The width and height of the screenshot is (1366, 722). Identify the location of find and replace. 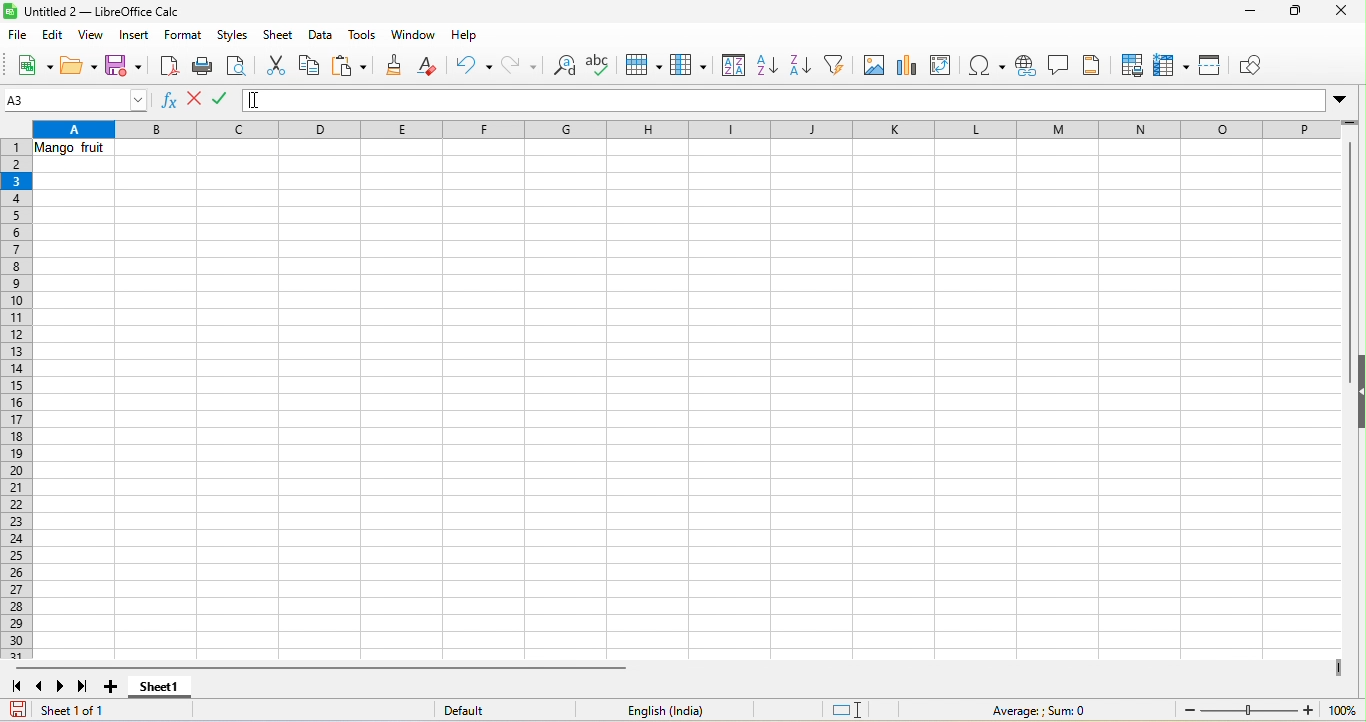
(561, 67).